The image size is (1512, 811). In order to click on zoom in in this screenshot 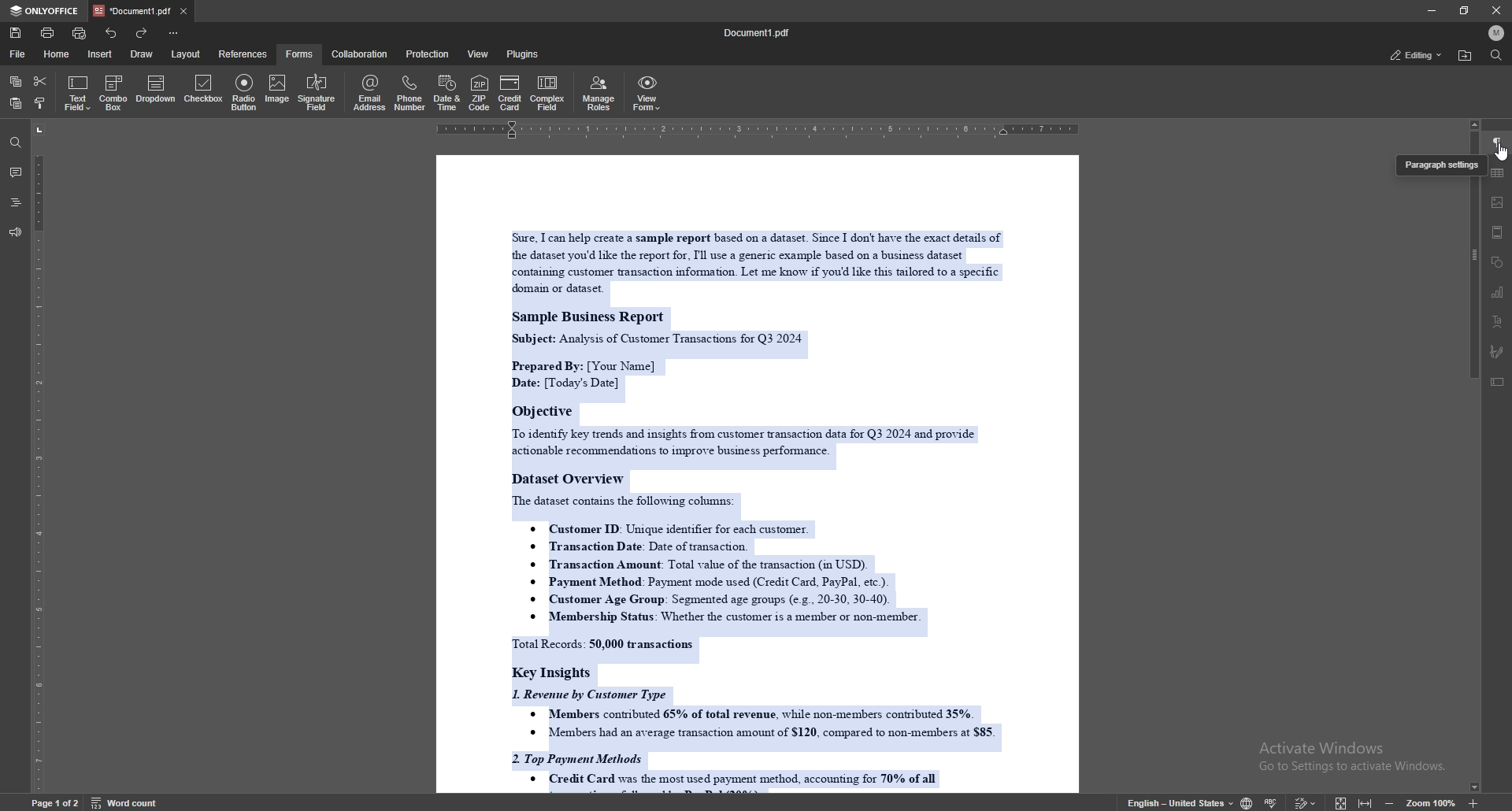, I will do `click(1472, 803)`.